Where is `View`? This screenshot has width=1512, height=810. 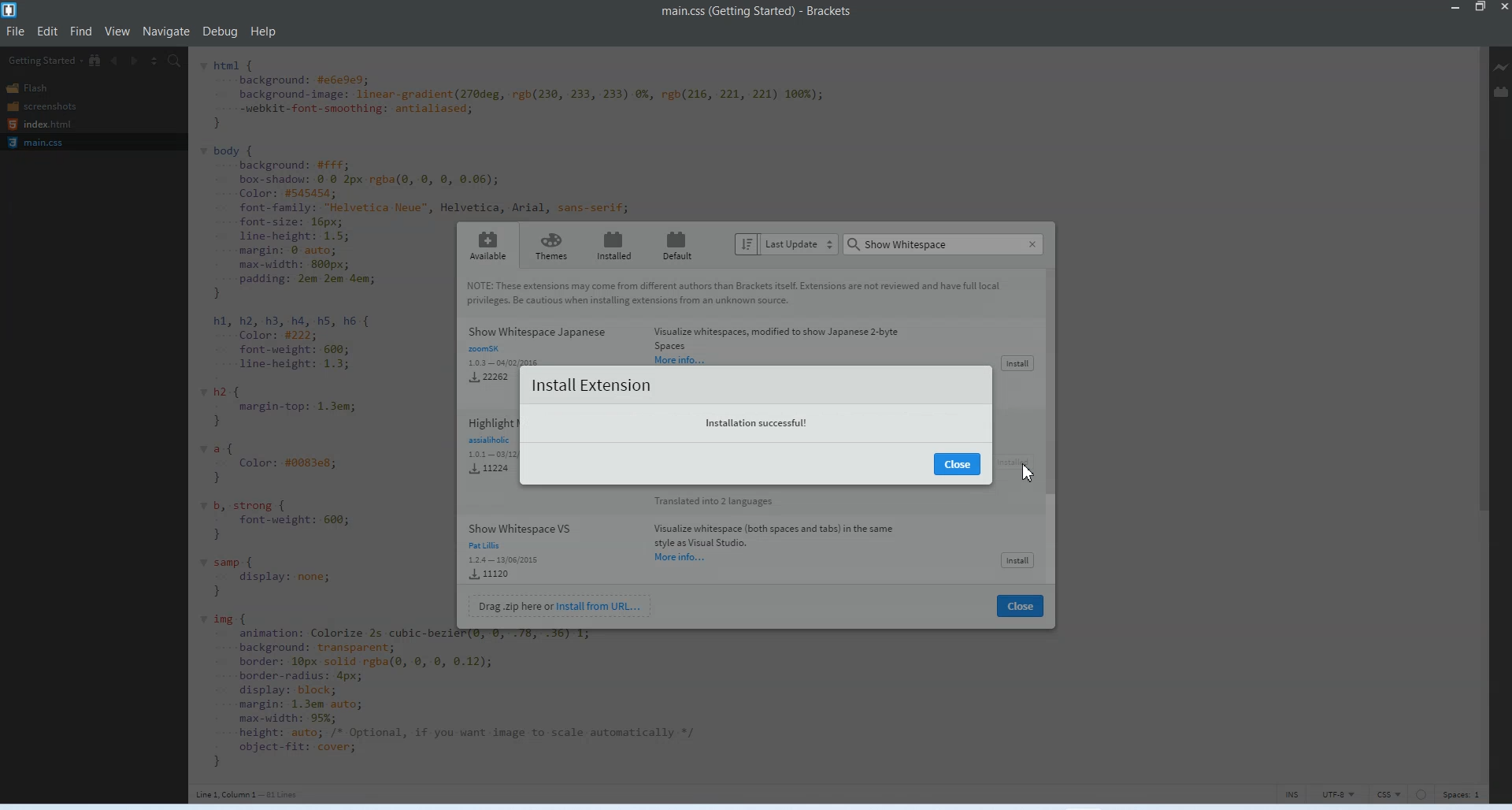 View is located at coordinates (119, 31).